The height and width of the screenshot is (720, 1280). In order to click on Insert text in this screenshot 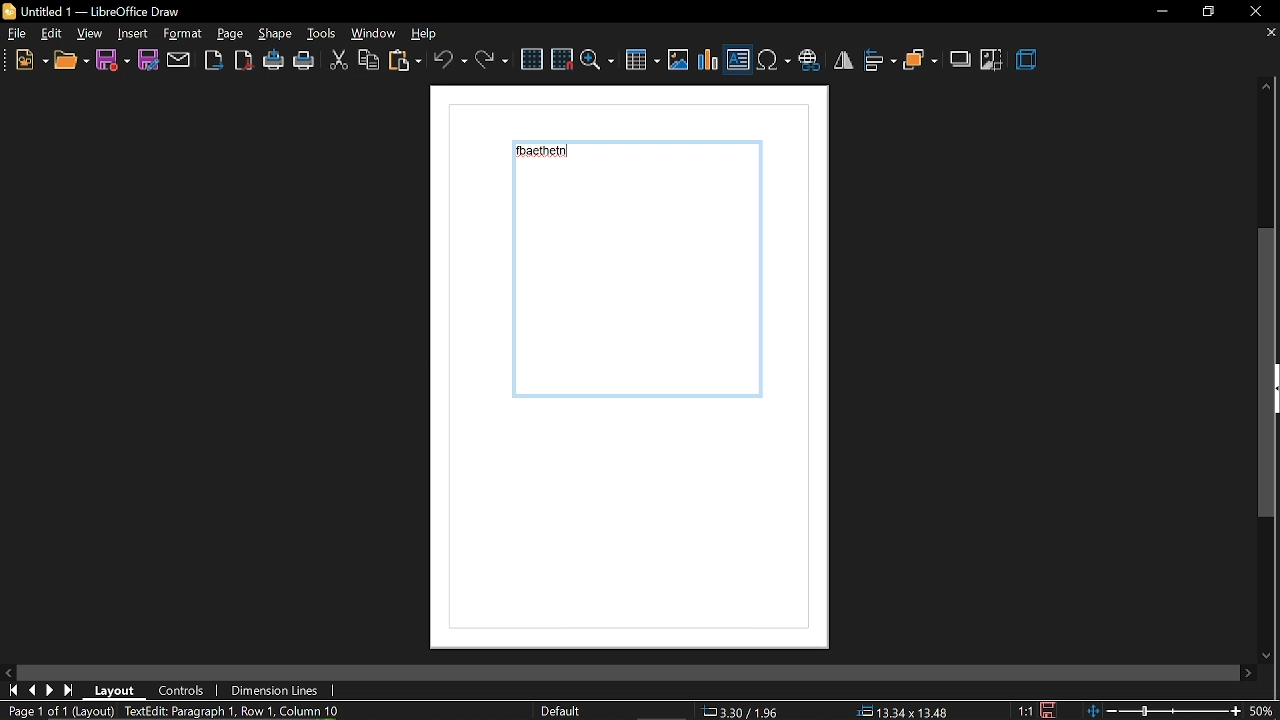, I will do `click(738, 59)`.